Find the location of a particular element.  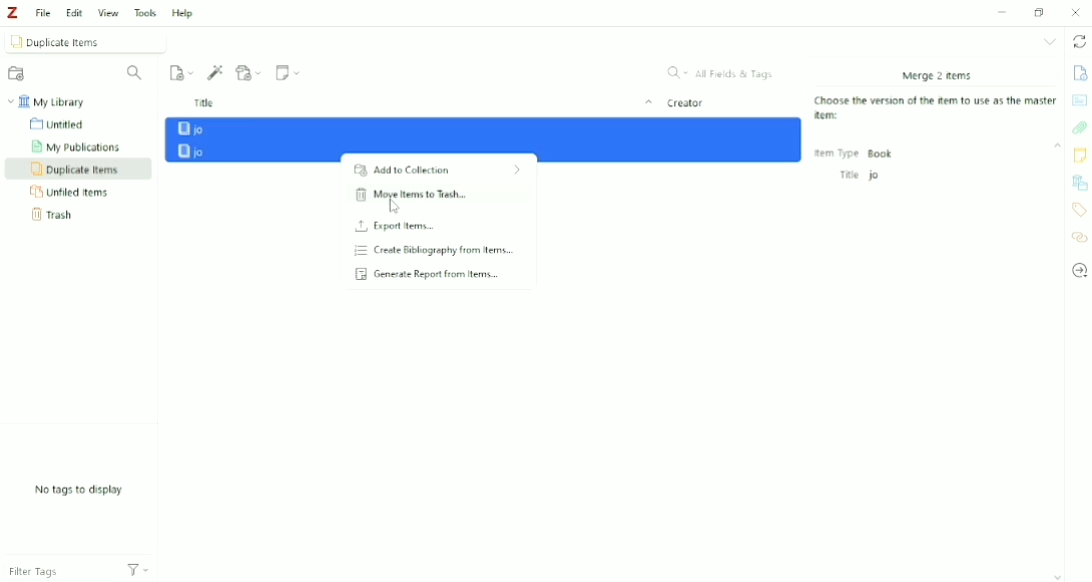

jo is located at coordinates (485, 128).